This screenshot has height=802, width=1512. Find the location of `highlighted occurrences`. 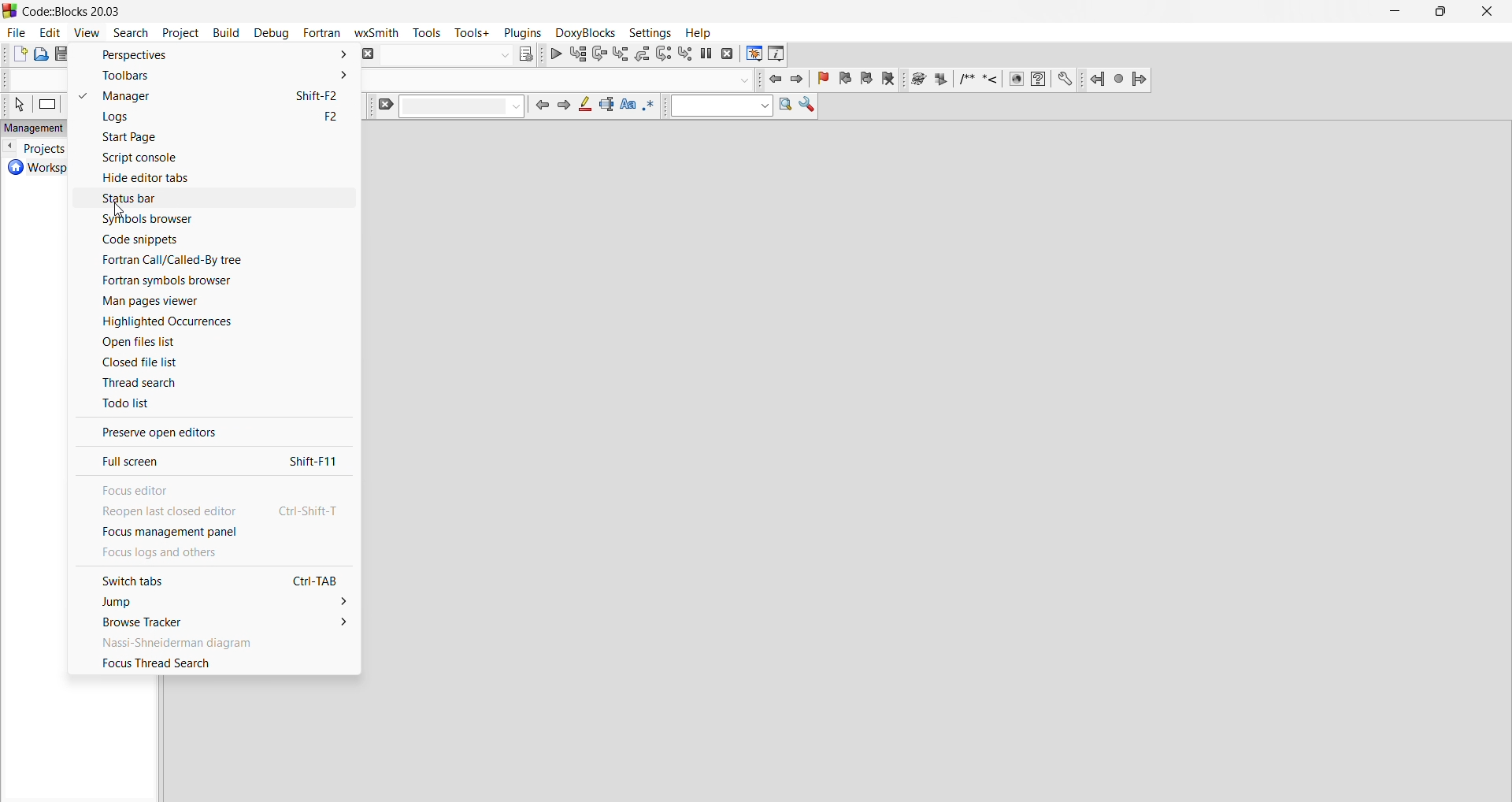

highlighted occurrences is located at coordinates (214, 325).